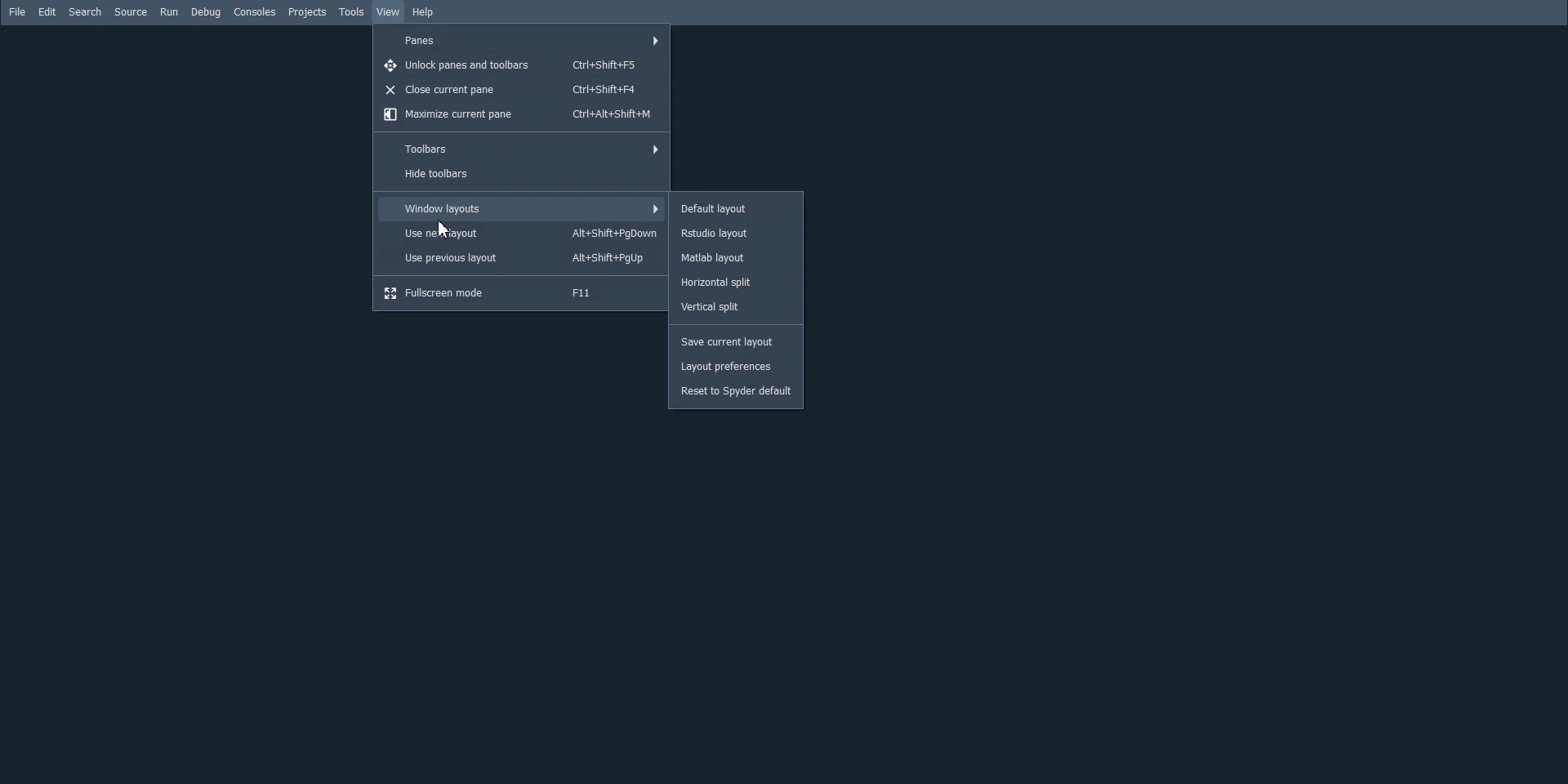  I want to click on Default layout, so click(736, 207).